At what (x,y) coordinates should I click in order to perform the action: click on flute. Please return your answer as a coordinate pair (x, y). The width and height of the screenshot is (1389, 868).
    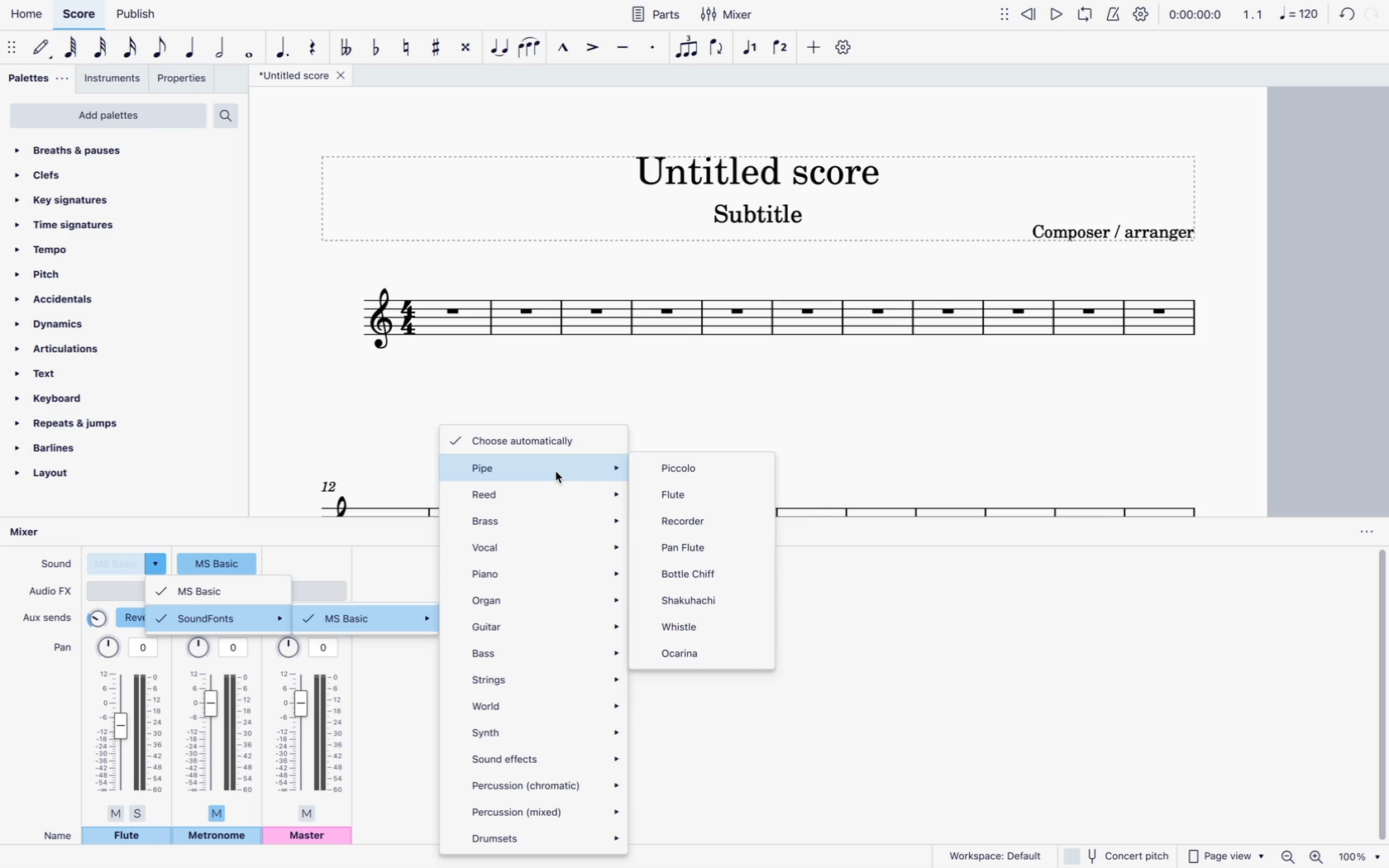
    Looking at the image, I should click on (692, 494).